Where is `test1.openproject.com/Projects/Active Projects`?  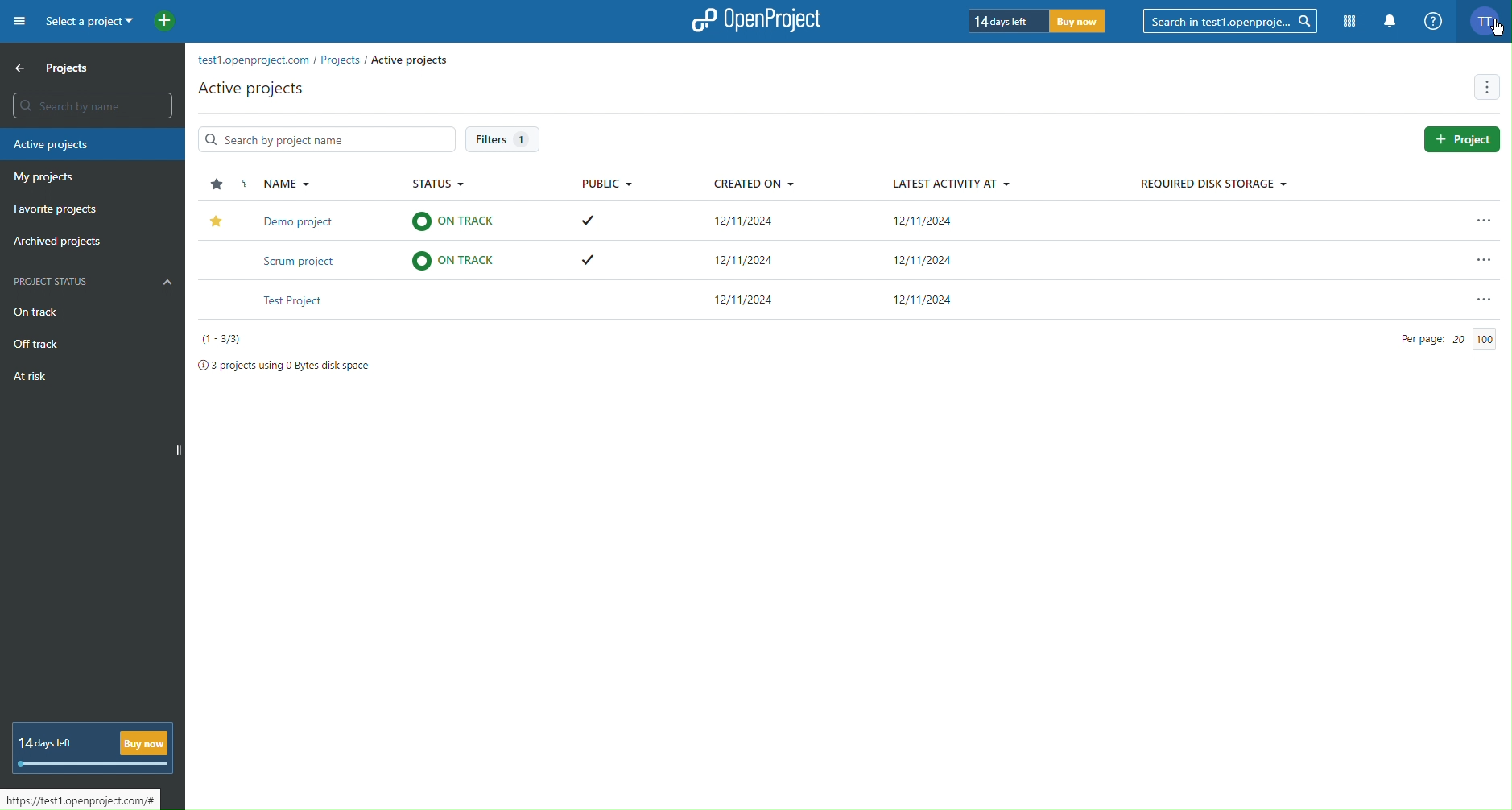
test1.openproject.com/Projects/Active Projects is located at coordinates (340, 58).